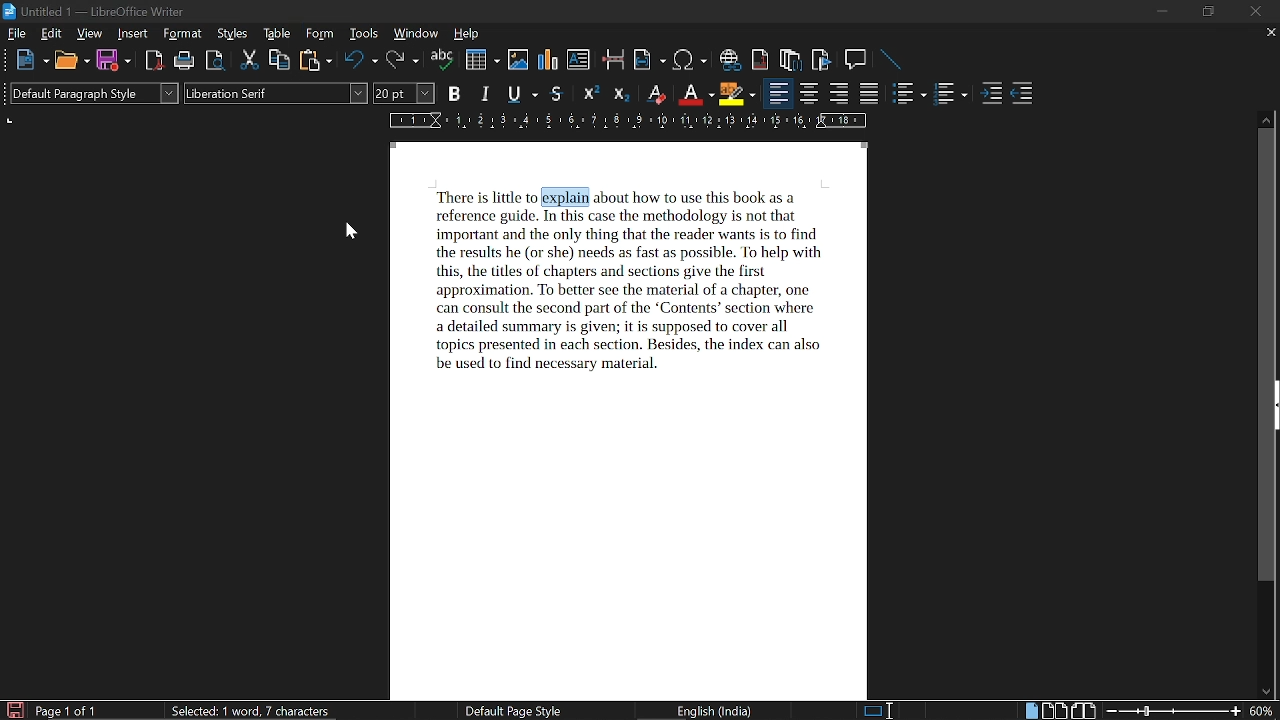 The width and height of the screenshot is (1280, 720). I want to click on save, so click(114, 61).